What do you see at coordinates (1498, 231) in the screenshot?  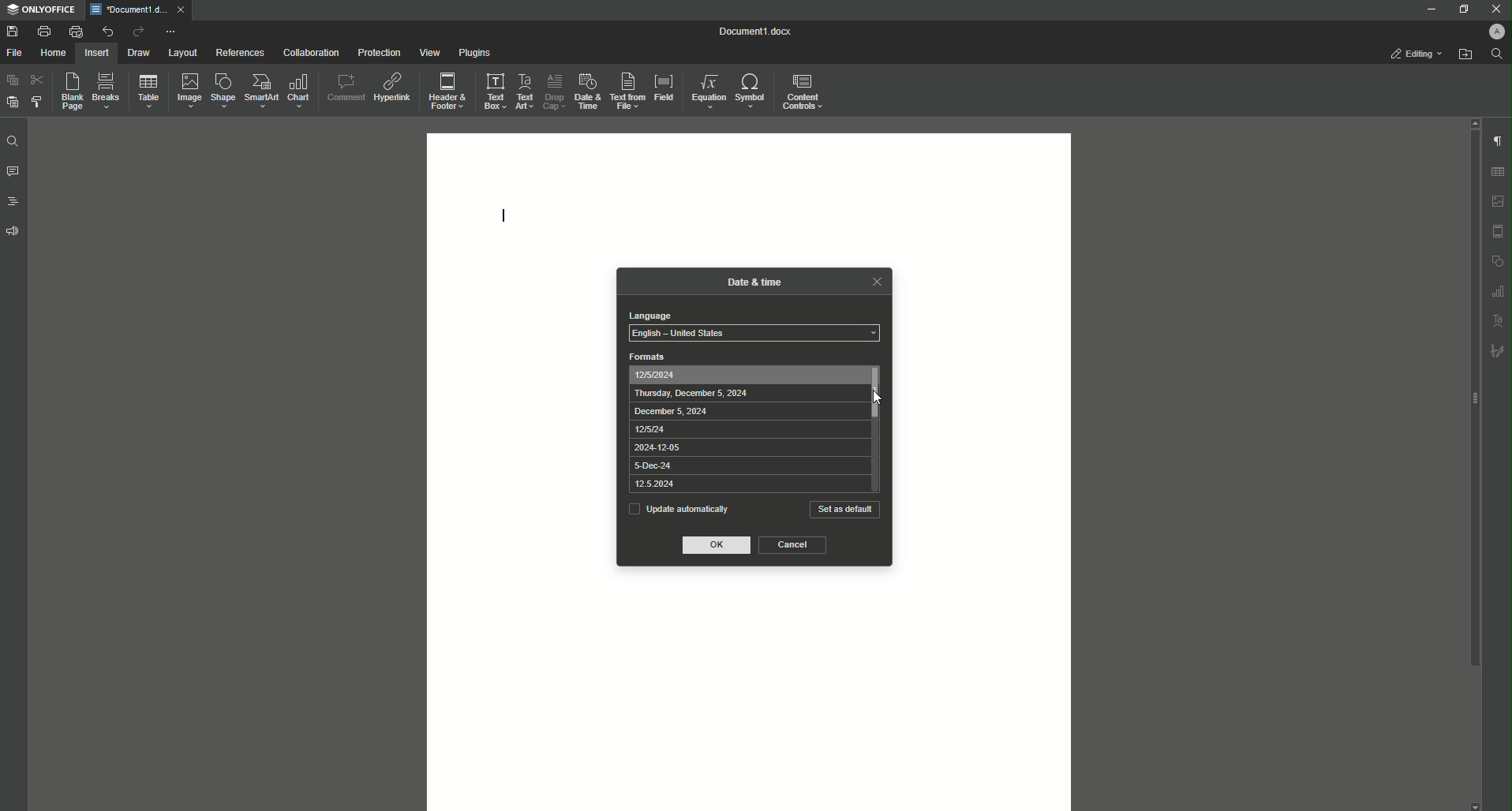 I see `header and footer settings` at bounding box center [1498, 231].